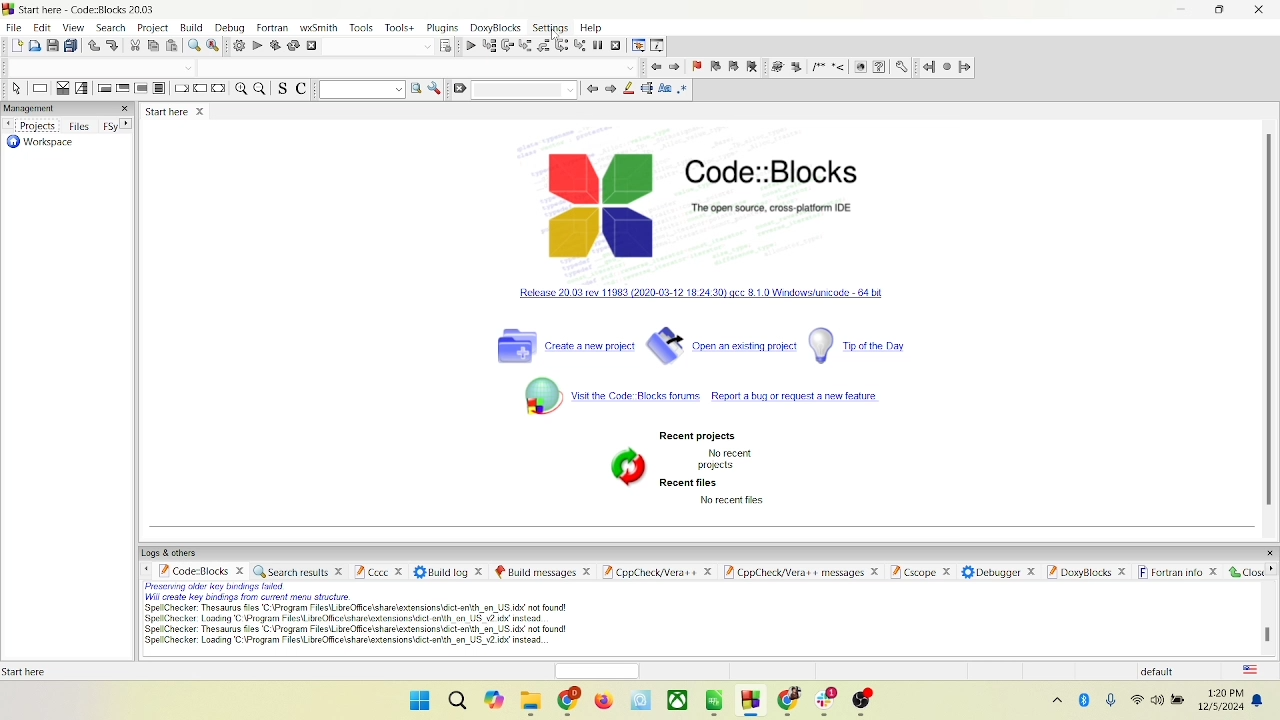 This screenshot has height=720, width=1280. What do you see at coordinates (1137, 698) in the screenshot?
I see `wifi` at bounding box center [1137, 698].